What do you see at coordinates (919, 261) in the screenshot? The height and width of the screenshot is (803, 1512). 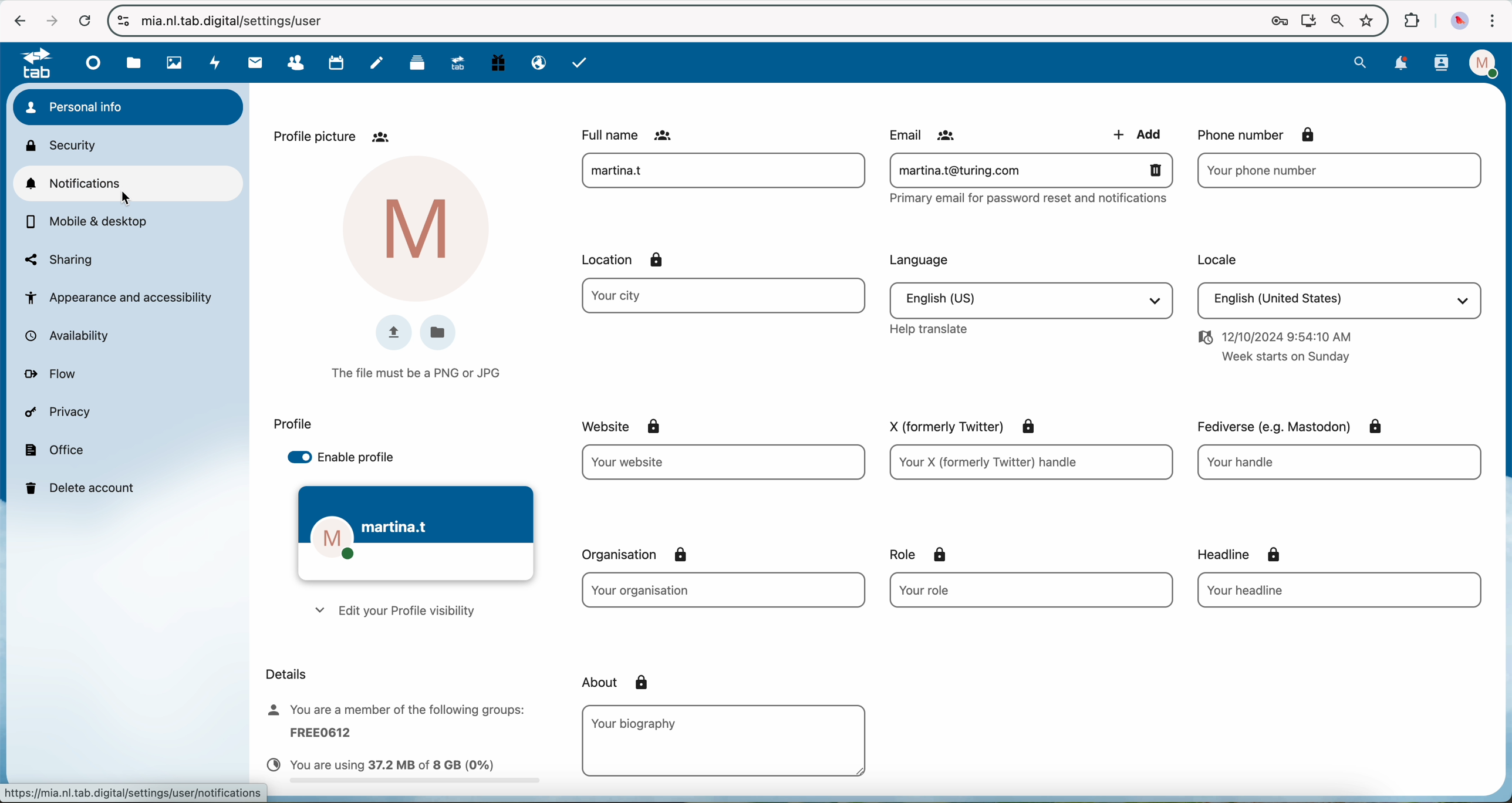 I see `language` at bounding box center [919, 261].